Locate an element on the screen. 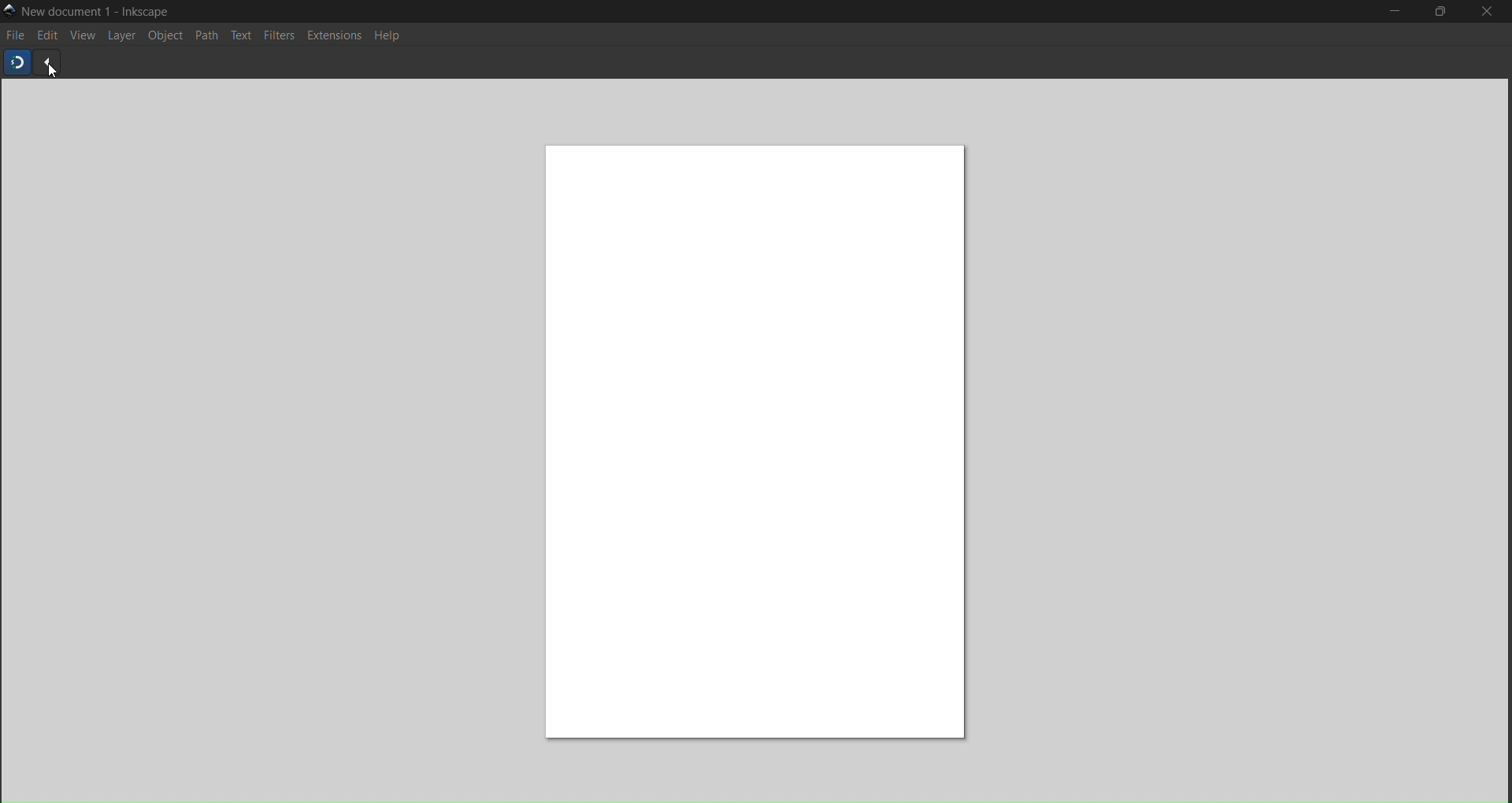 The image size is (1512, 803). cursor is located at coordinates (57, 75).